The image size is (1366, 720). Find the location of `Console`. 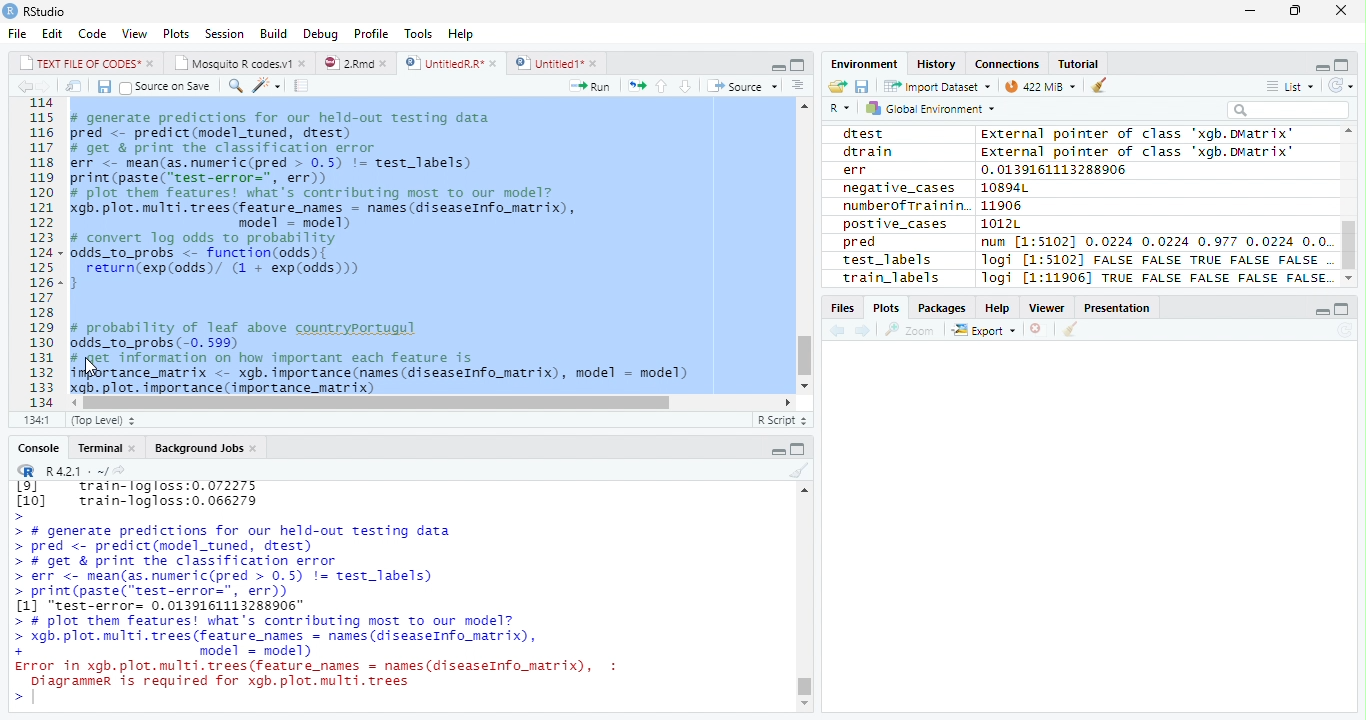

Console is located at coordinates (39, 447).